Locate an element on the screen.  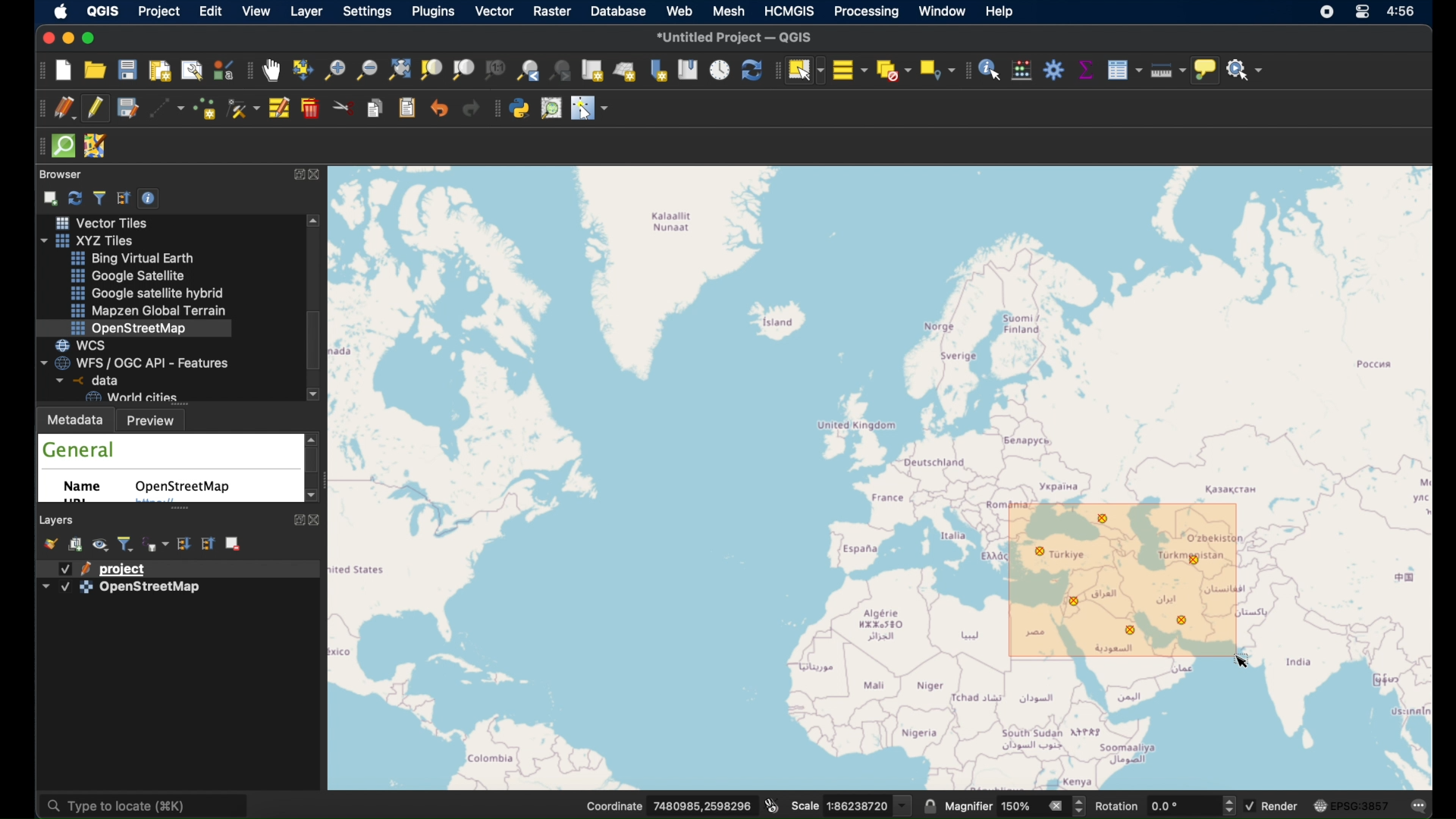
enable/disbale properties widget is located at coordinates (151, 197).